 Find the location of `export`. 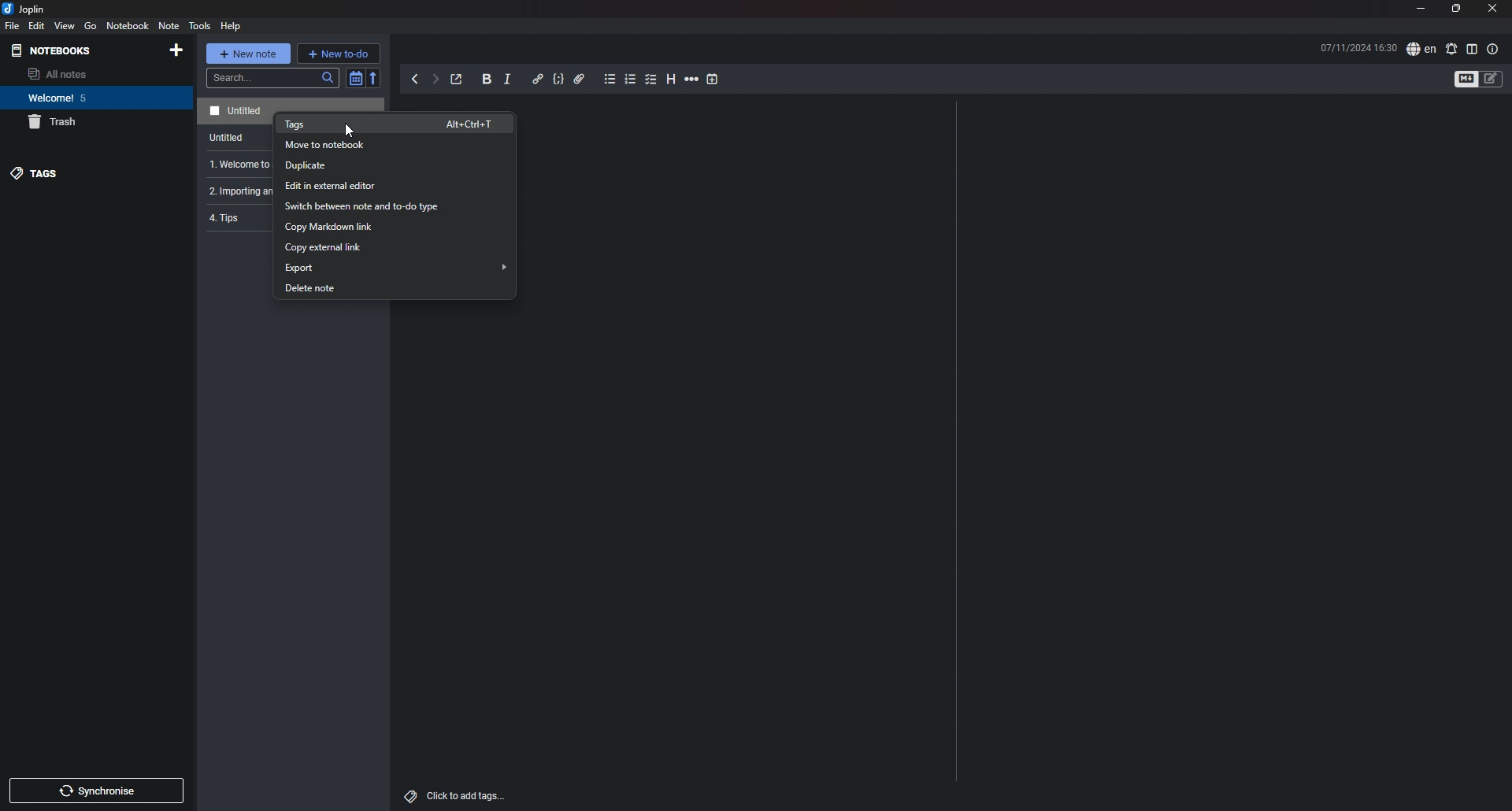

export is located at coordinates (395, 267).